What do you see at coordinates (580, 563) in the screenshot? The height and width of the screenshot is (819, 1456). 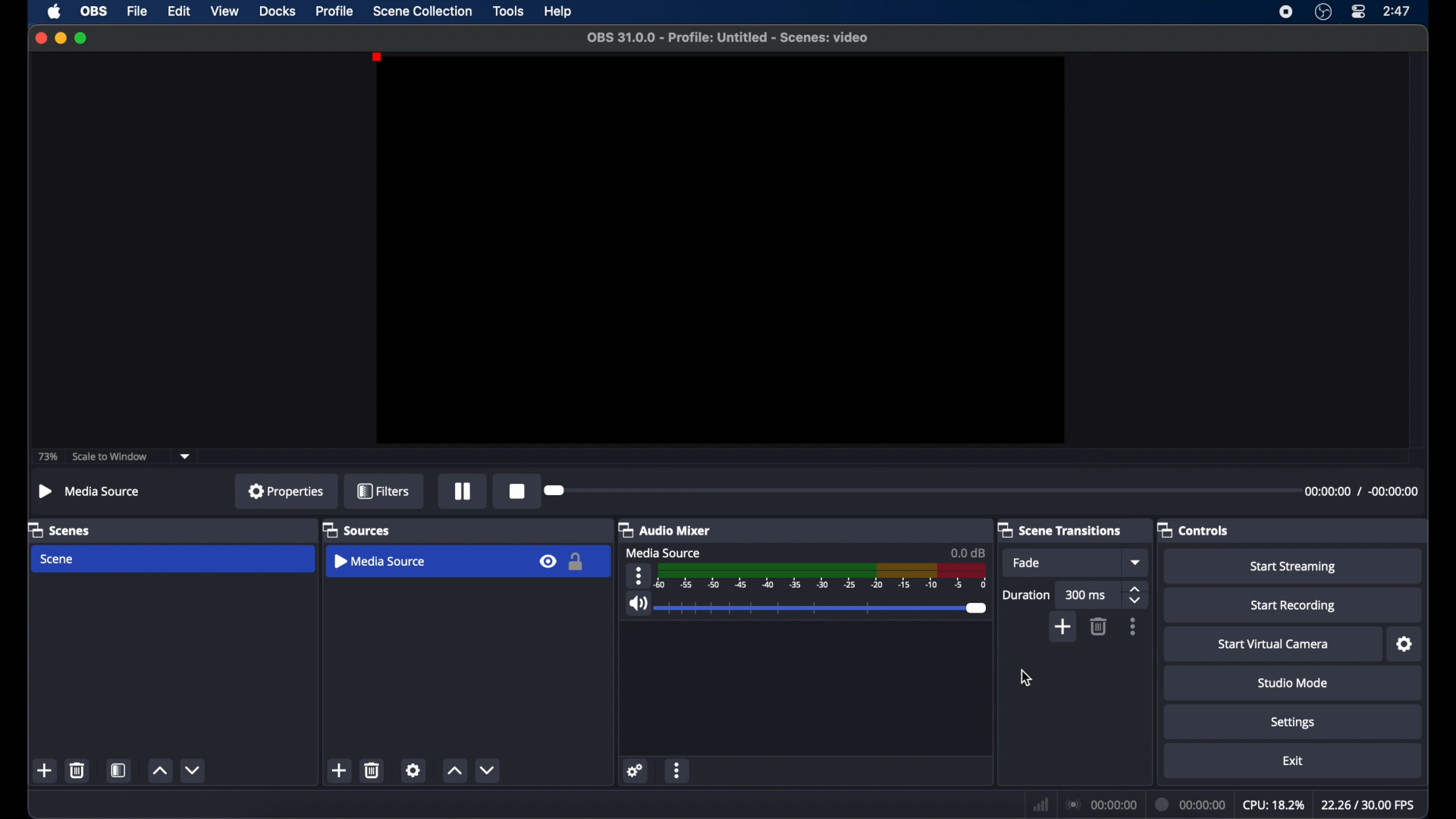 I see `Lock` at bounding box center [580, 563].